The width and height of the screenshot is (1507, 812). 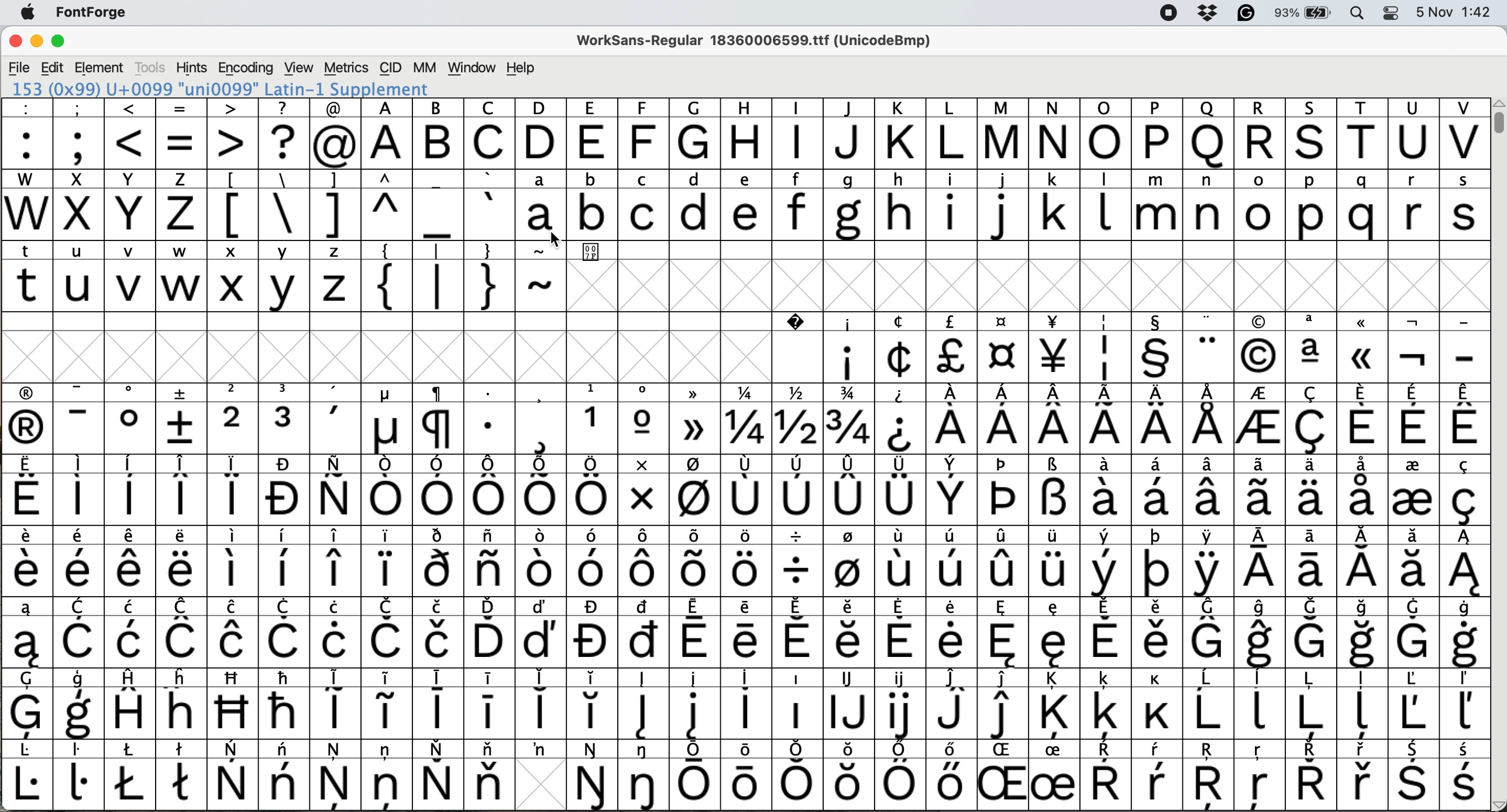 What do you see at coordinates (900, 775) in the screenshot?
I see `symbol` at bounding box center [900, 775].